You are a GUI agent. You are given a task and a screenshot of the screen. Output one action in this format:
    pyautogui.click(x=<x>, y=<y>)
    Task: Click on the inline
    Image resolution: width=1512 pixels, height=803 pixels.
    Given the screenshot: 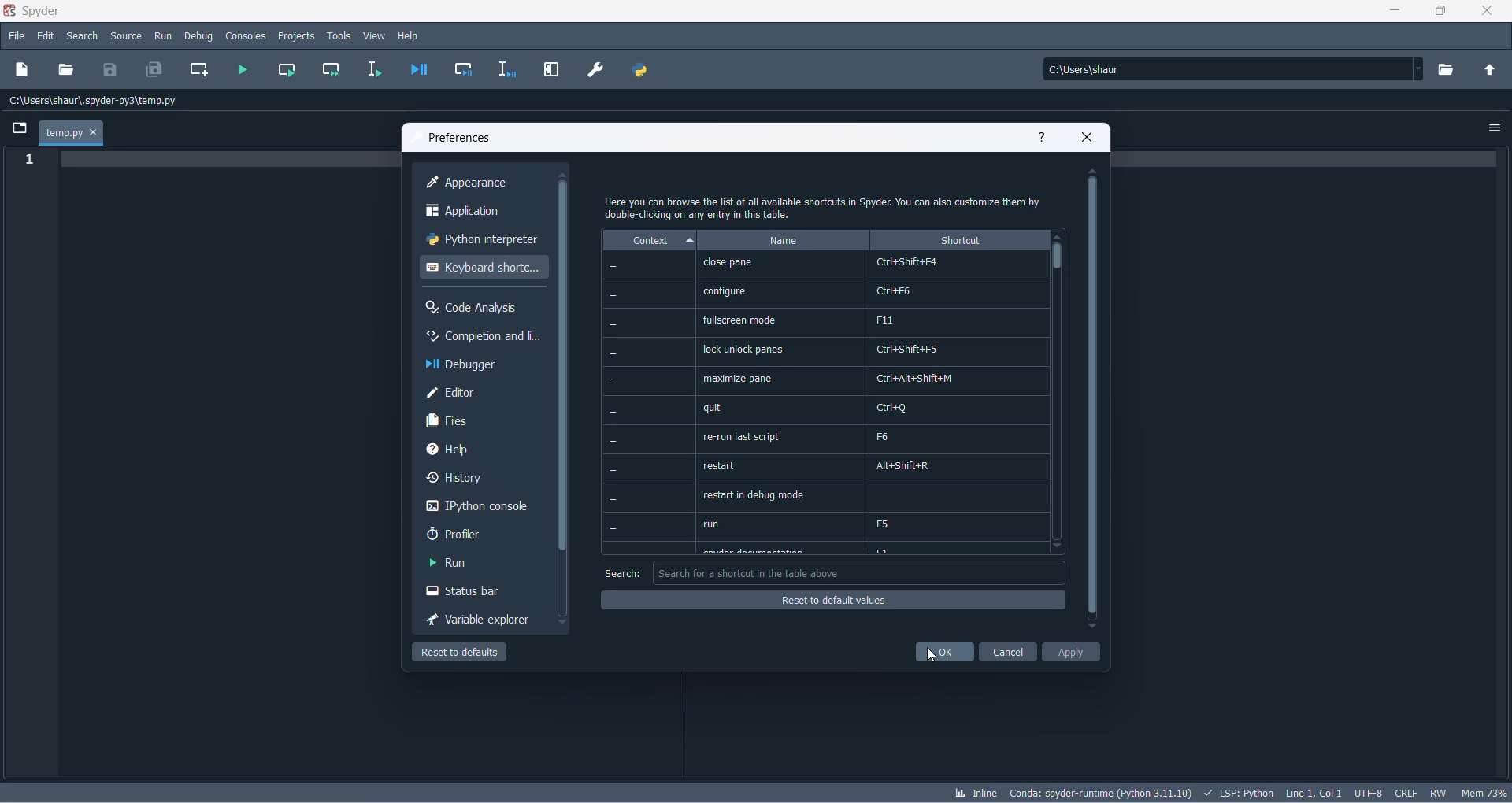 What is the action you would take?
    pyautogui.click(x=974, y=792)
    